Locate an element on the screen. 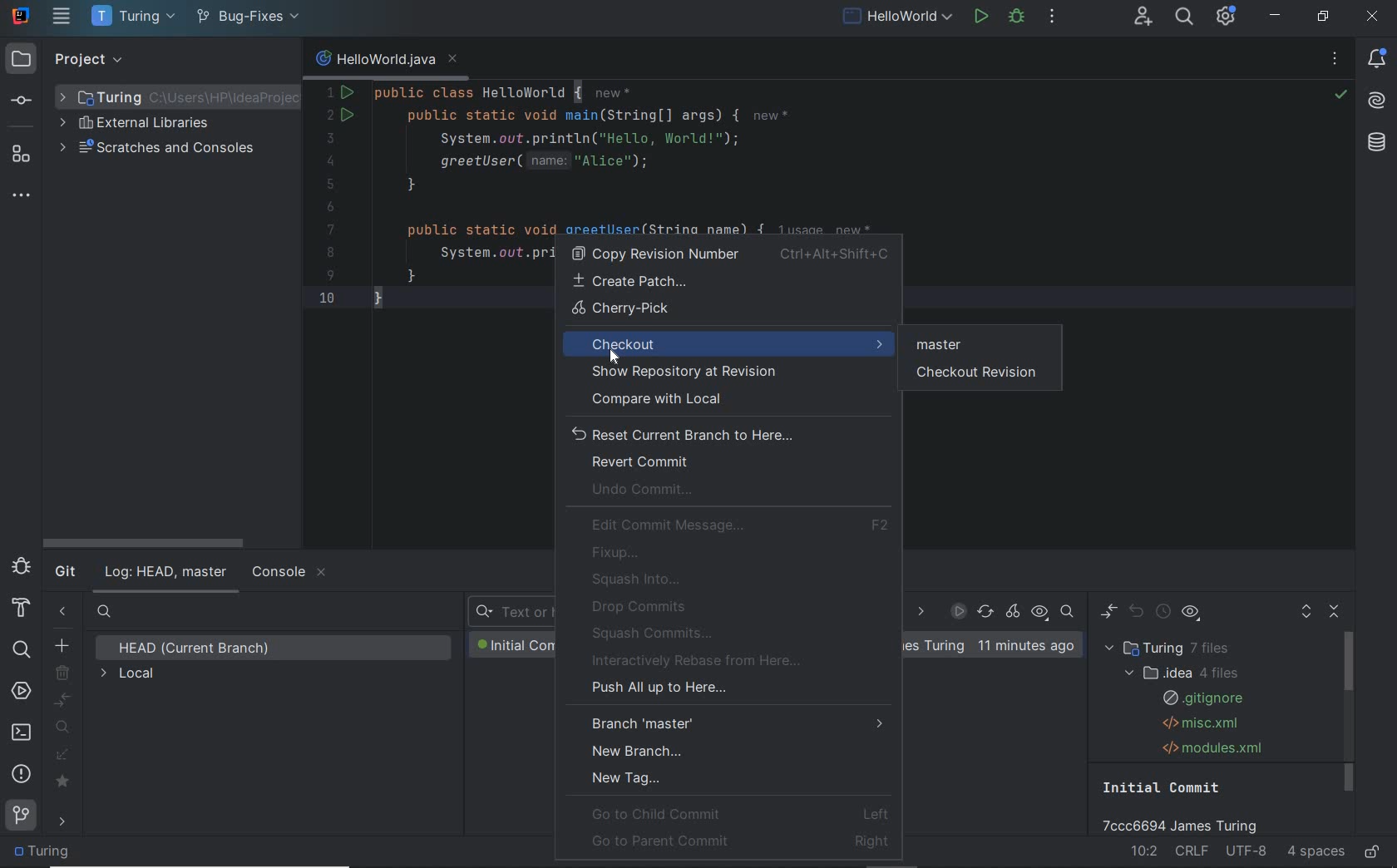 This screenshot has height=868, width=1397. push all up to here is located at coordinates (657, 690).